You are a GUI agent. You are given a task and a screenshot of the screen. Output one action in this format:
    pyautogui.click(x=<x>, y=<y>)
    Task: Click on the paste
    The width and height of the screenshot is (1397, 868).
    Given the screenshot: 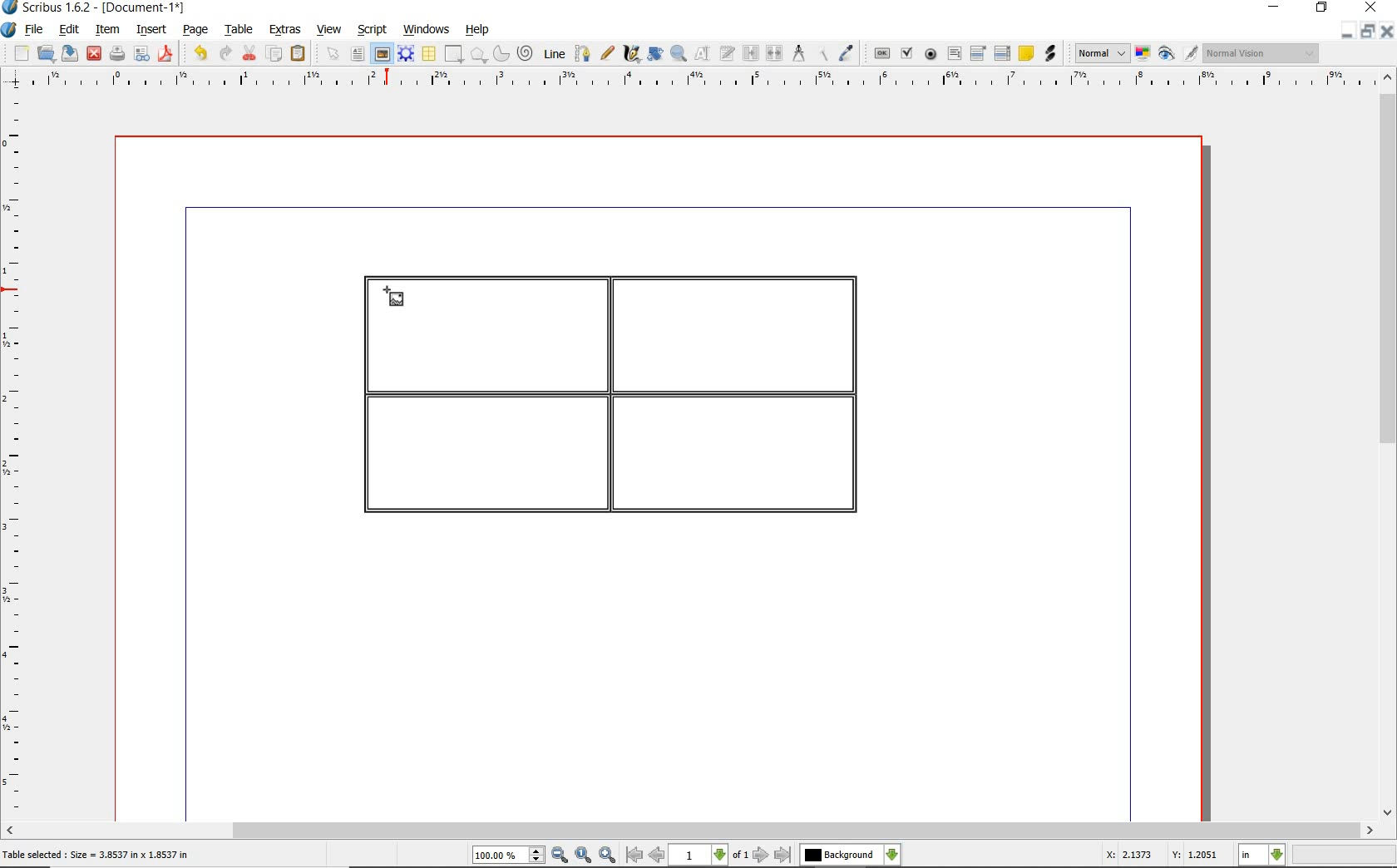 What is the action you would take?
    pyautogui.click(x=298, y=53)
    